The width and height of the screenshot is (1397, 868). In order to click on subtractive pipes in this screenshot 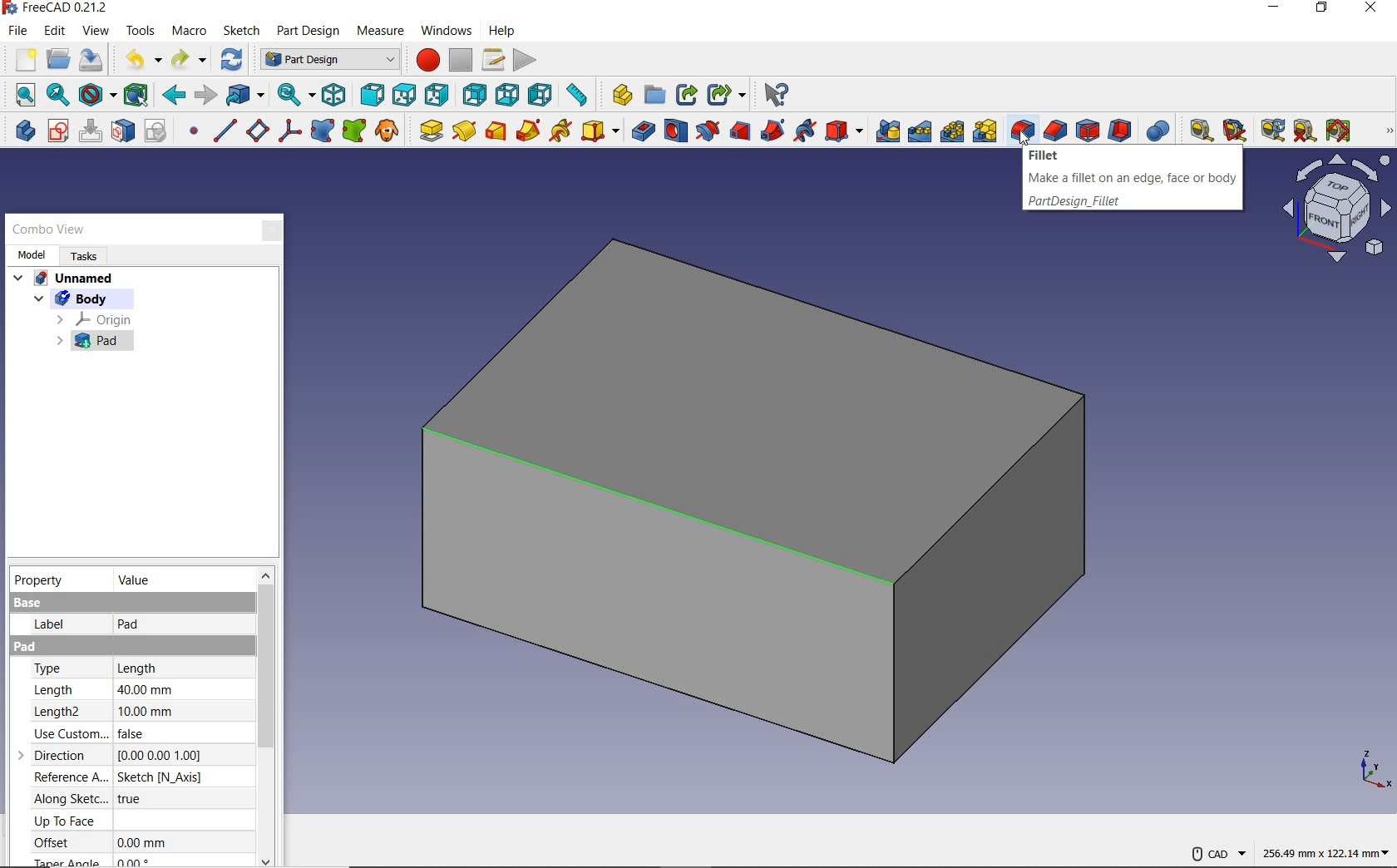, I will do `click(771, 131)`.